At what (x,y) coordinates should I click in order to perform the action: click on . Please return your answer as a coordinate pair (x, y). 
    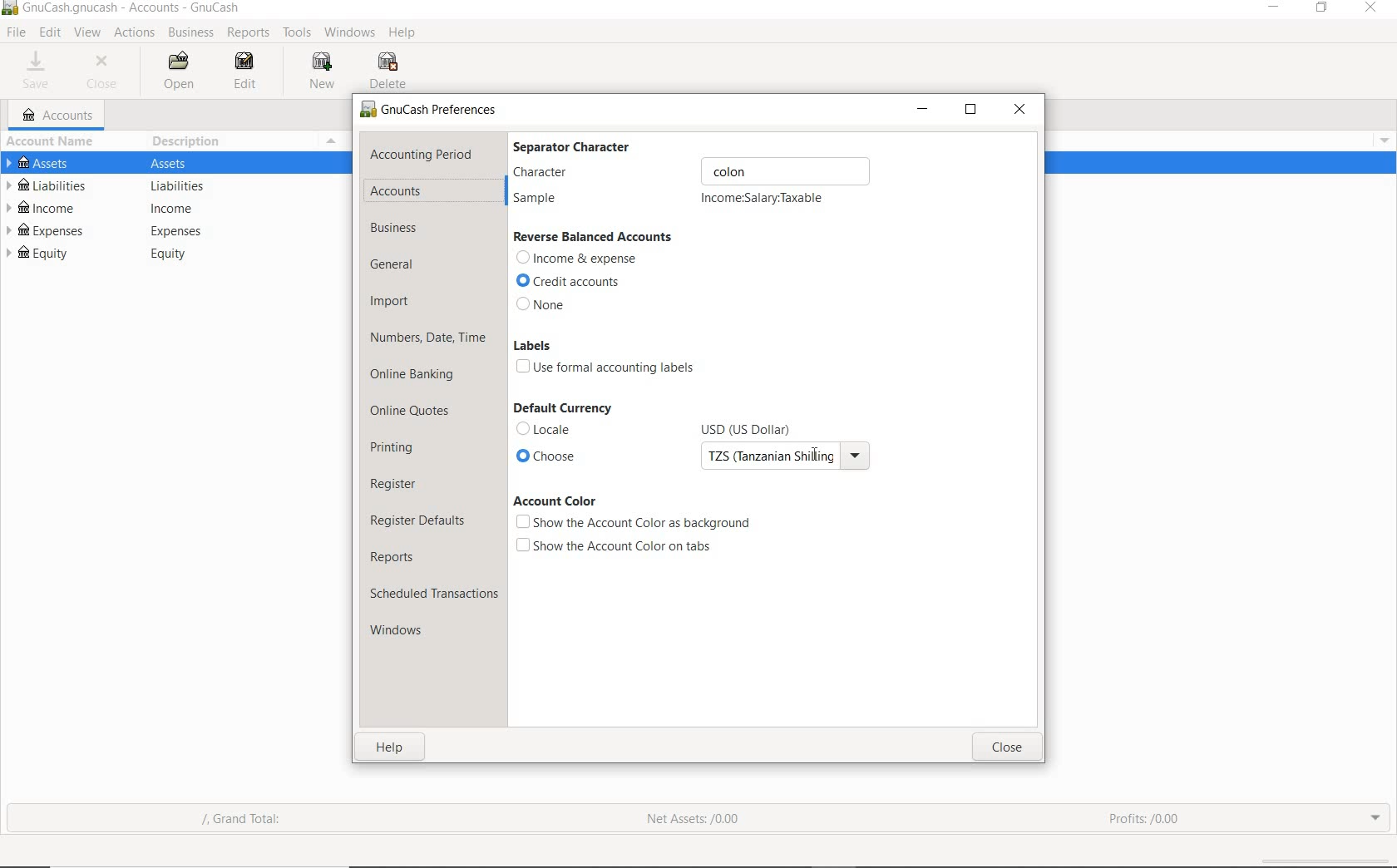
    Looking at the image, I should click on (771, 170).